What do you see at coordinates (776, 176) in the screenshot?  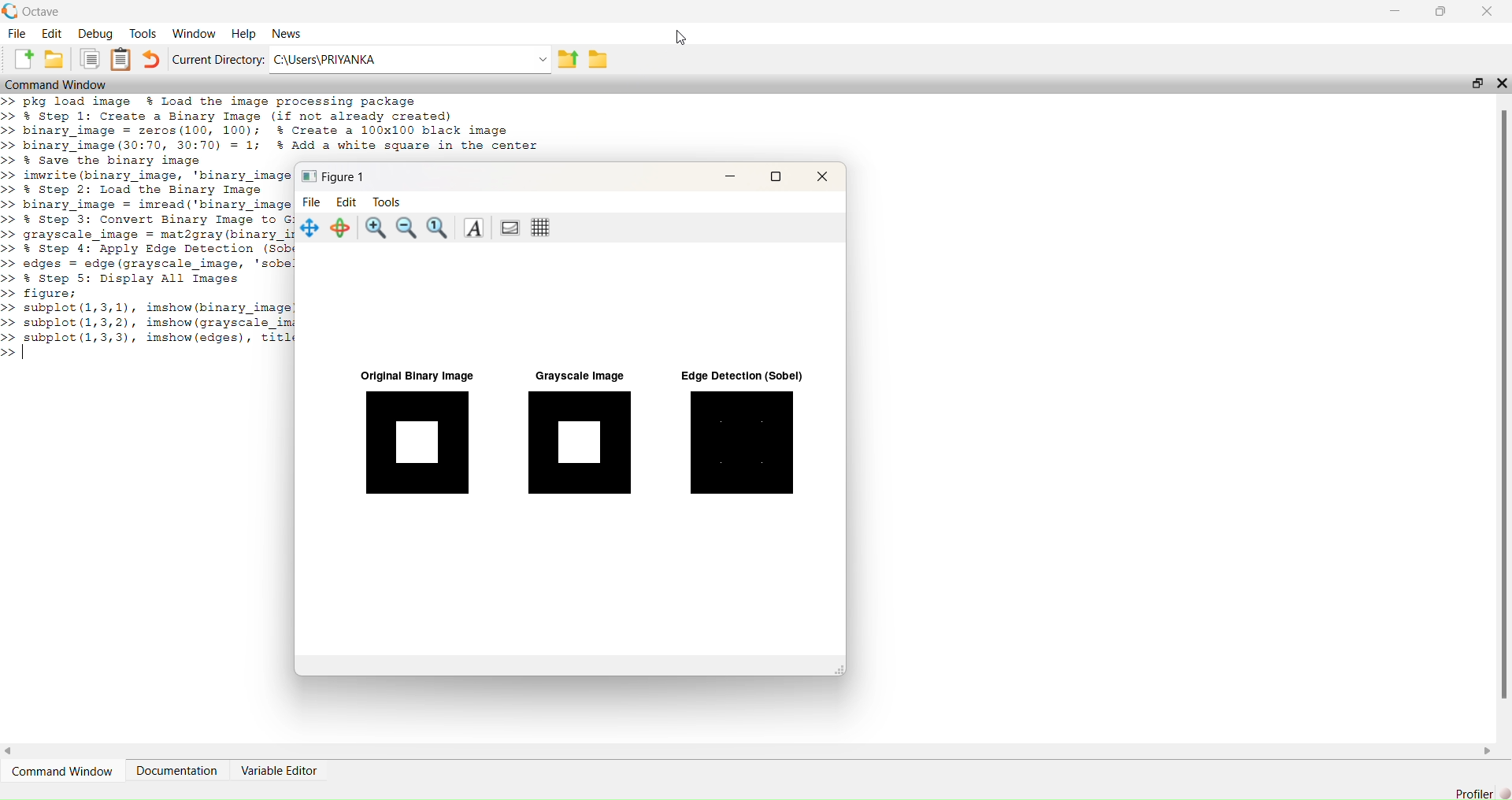 I see `maximise` at bounding box center [776, 176].